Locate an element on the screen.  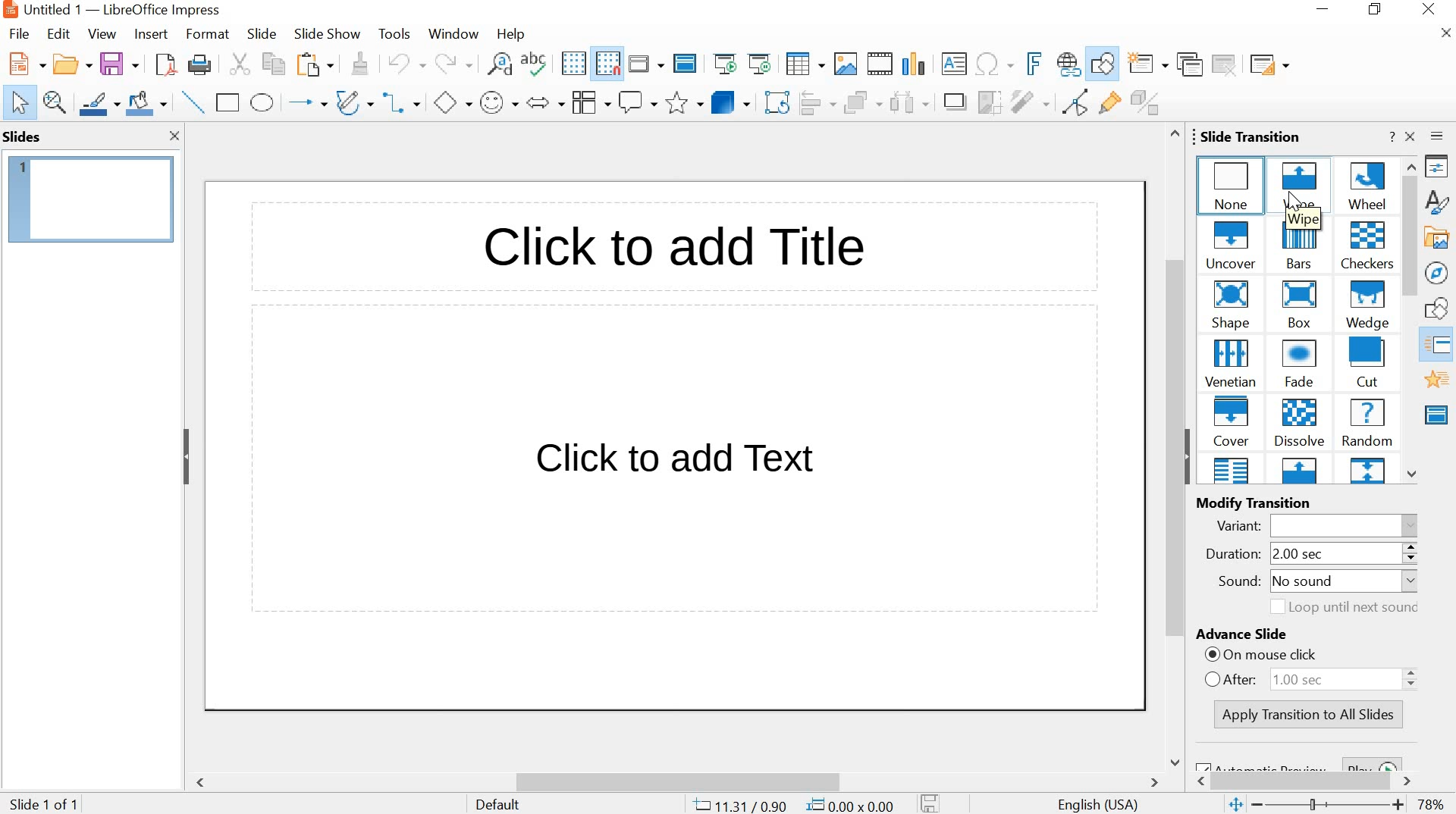
UNDO is located at coordinates (404, 64).